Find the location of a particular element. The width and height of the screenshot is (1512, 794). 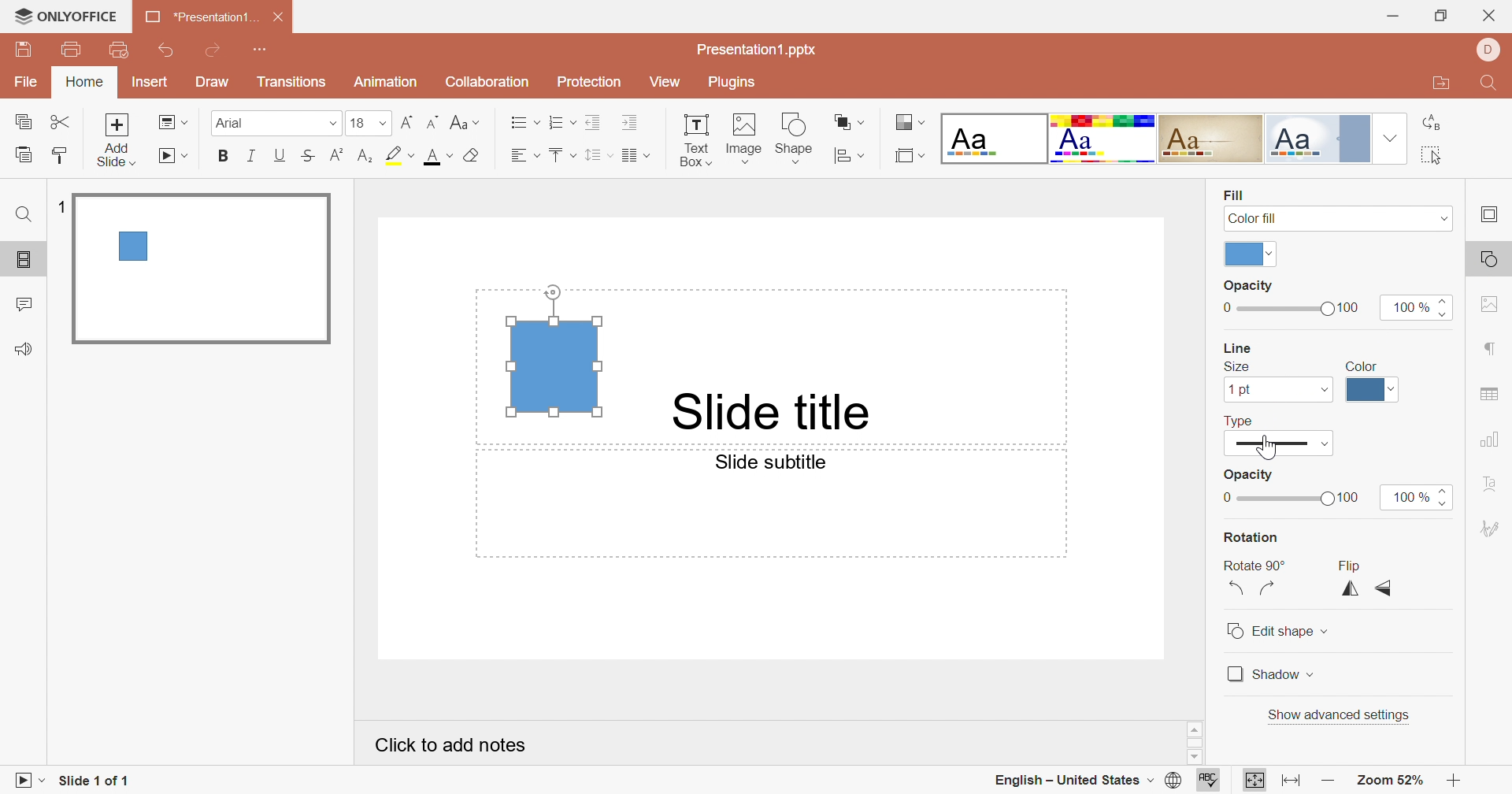

0 is located at coordinates (1226, 499).